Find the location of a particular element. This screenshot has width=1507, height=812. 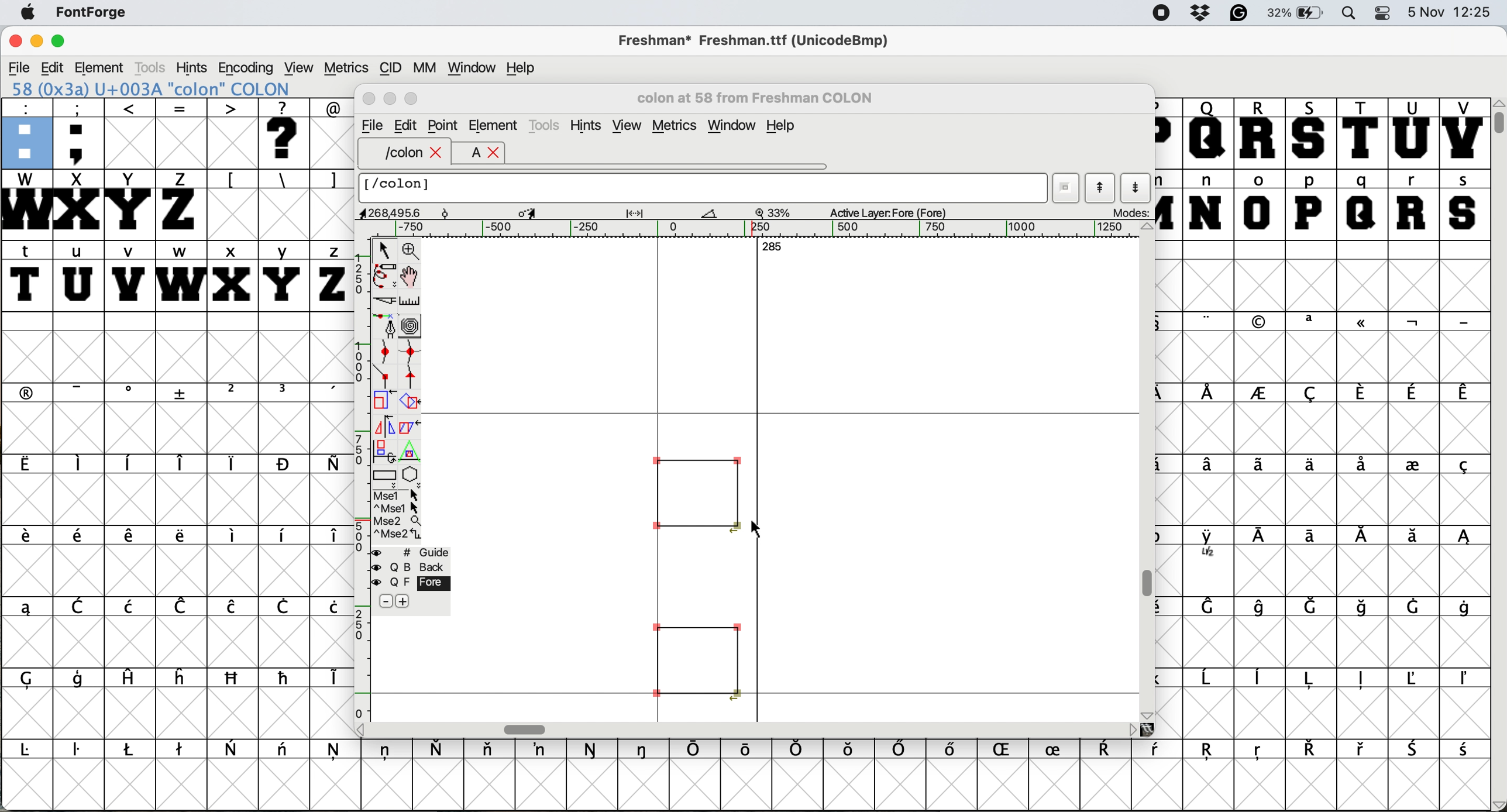

symbol is located at coordinates (798, 749).